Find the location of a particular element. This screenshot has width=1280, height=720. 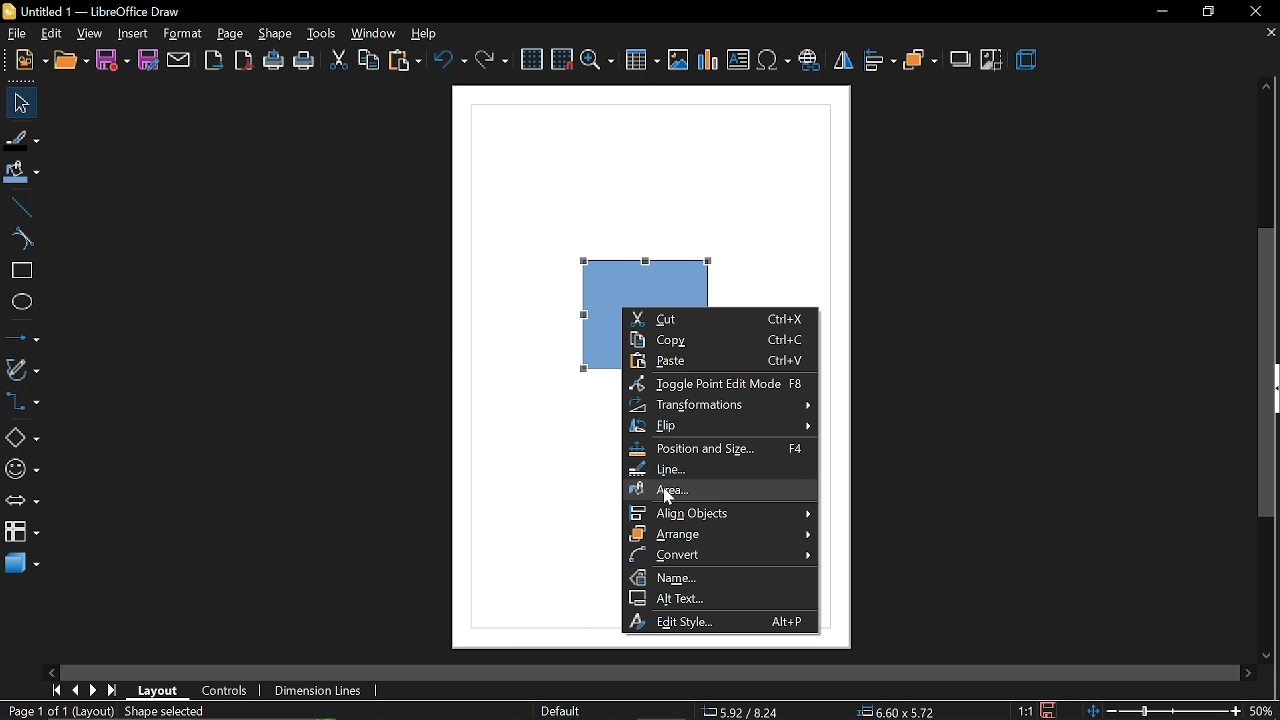

curve is located at coordinates (19, 240).